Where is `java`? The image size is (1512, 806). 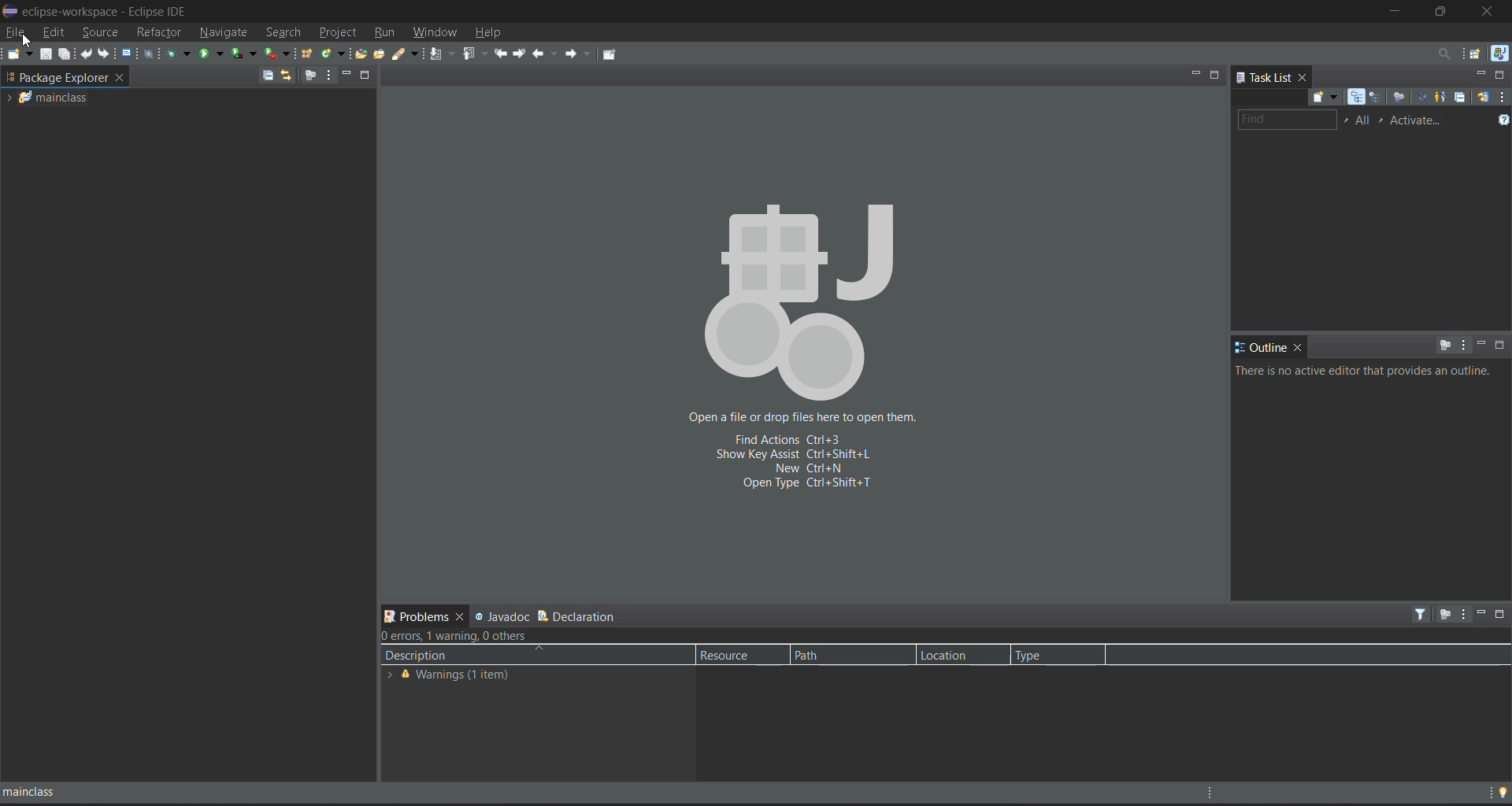 java is located at coordinates (1499, 54).